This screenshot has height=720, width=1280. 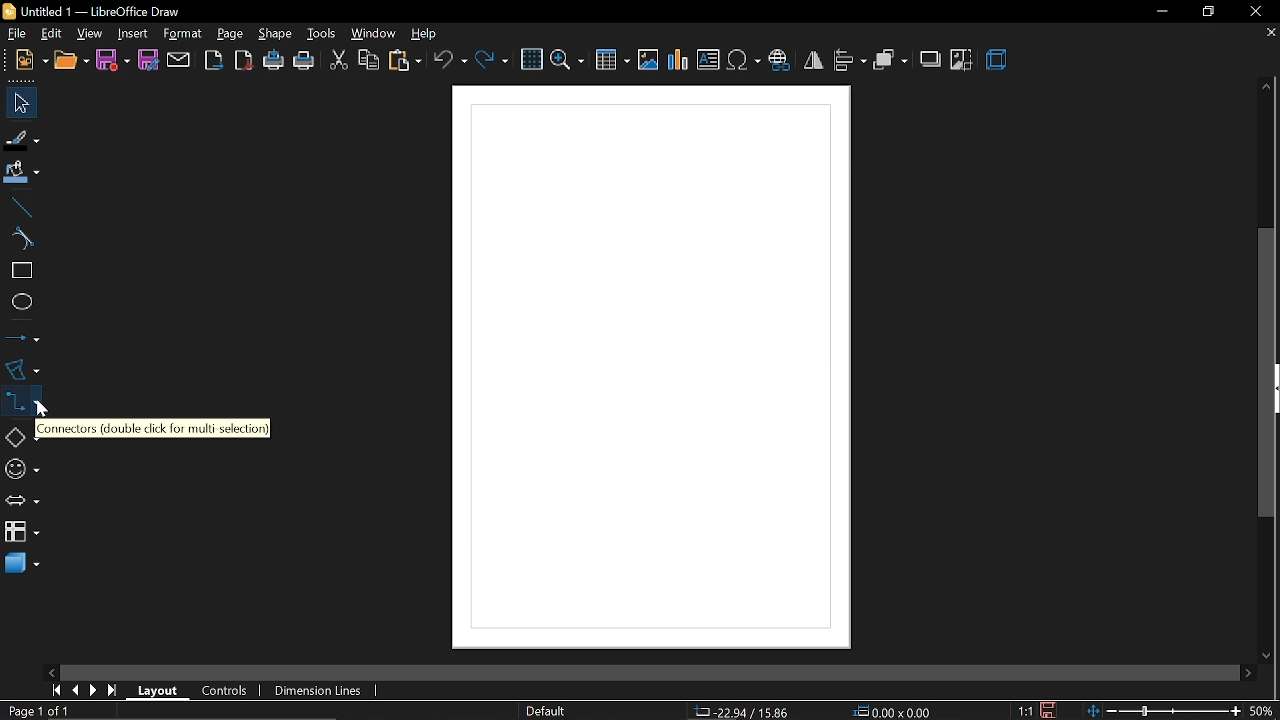 I want to click on -22.94/15.86, so click(x=740, y=712).